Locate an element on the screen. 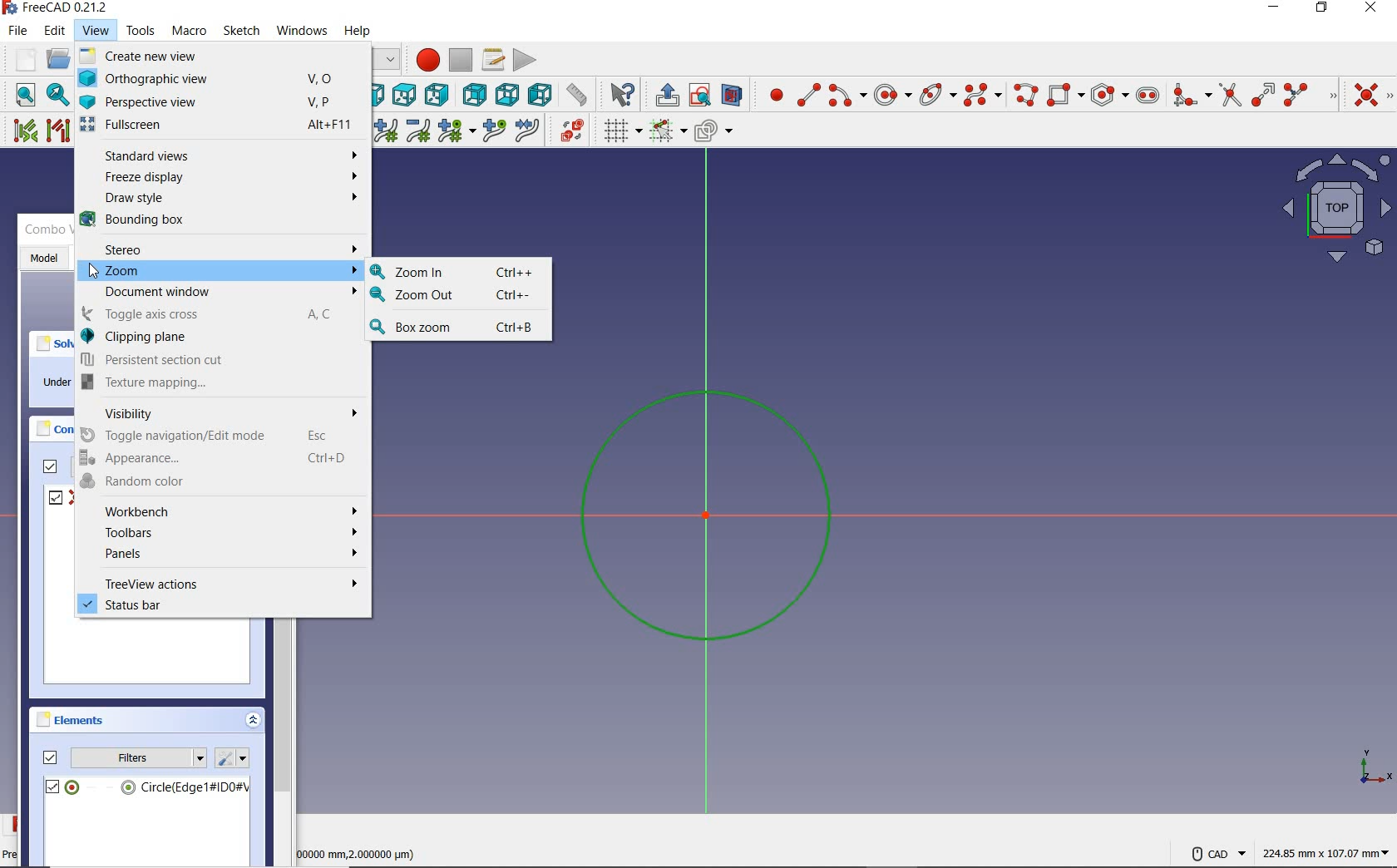  execute macro is located at coordinates (527, 57).